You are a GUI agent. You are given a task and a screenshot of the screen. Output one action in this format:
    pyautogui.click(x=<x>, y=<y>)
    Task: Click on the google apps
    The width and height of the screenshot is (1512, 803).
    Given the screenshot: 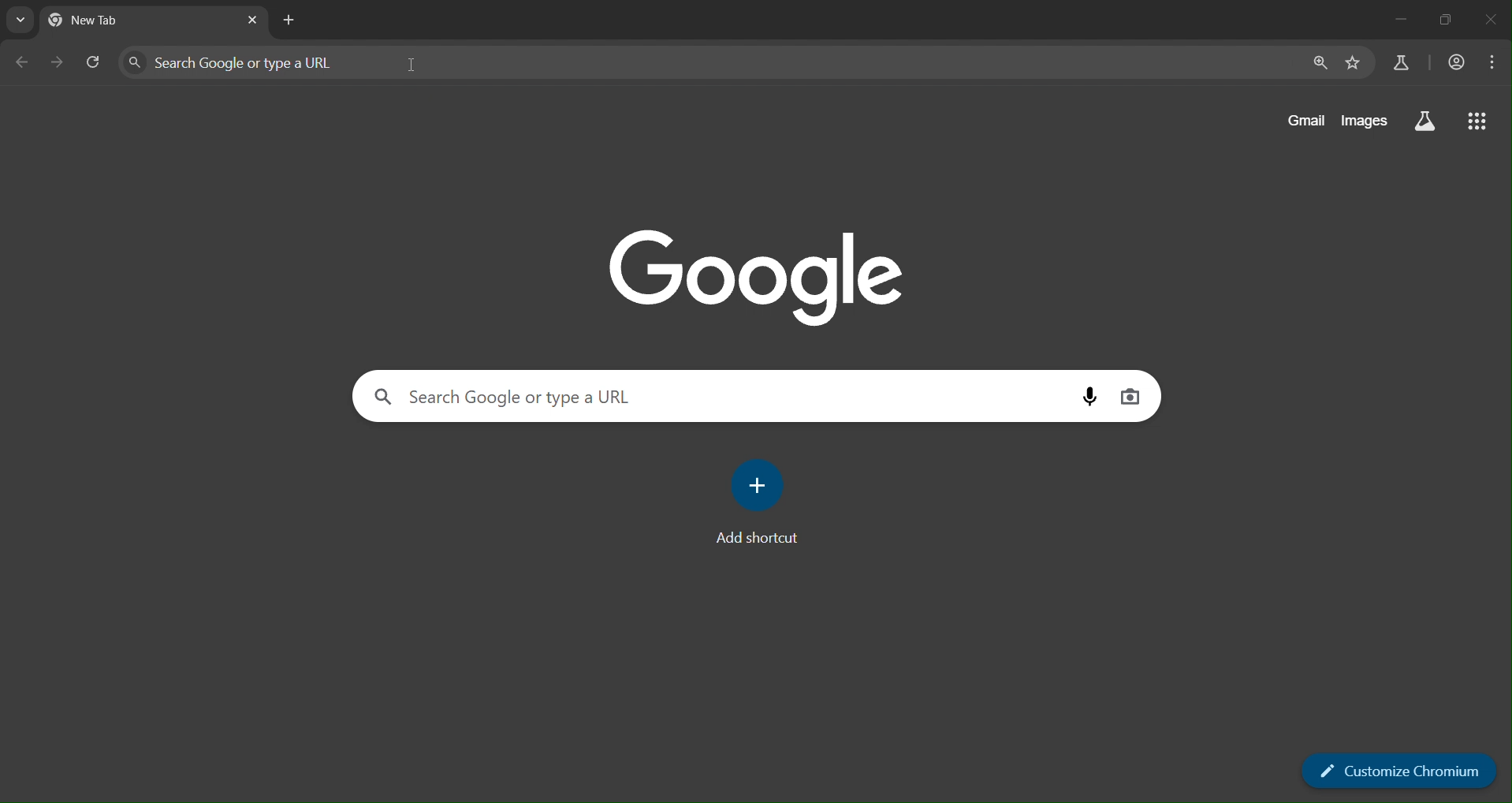 What is the action you would take?
    pyautogui.click(x=1480, y=123)
    